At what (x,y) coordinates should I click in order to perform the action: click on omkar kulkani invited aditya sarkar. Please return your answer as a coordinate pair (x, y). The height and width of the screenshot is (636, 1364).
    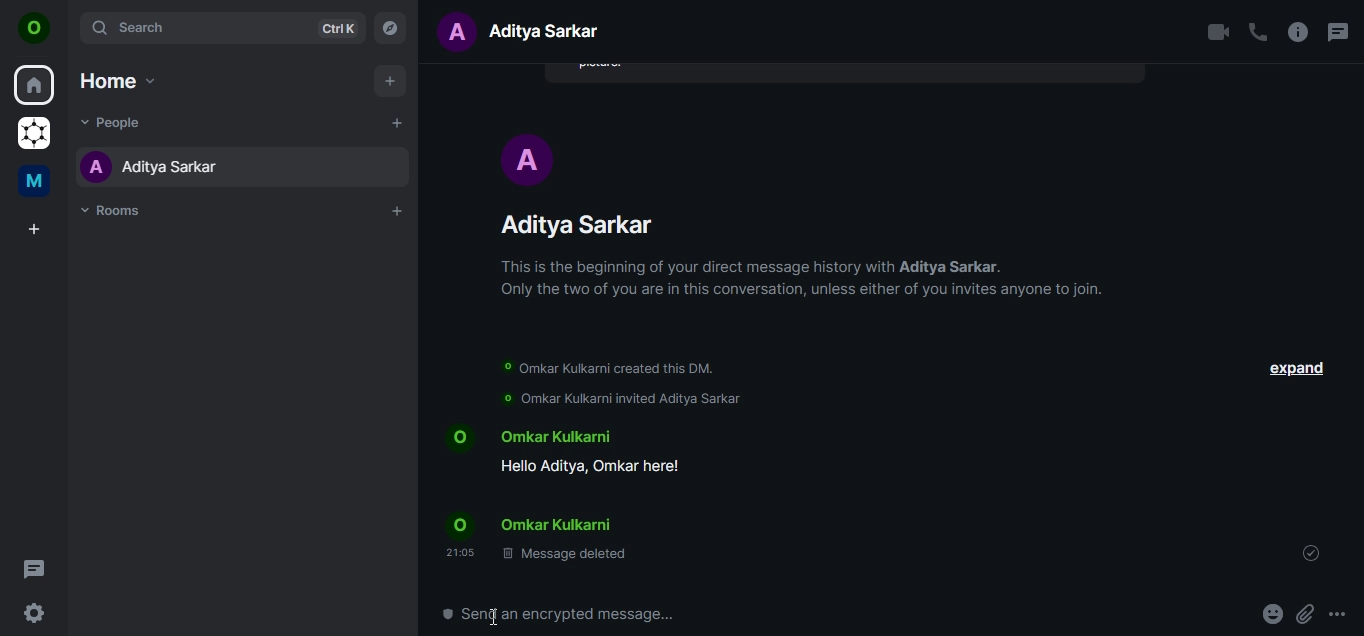
    Looking at the image, I should click on (617, 398).